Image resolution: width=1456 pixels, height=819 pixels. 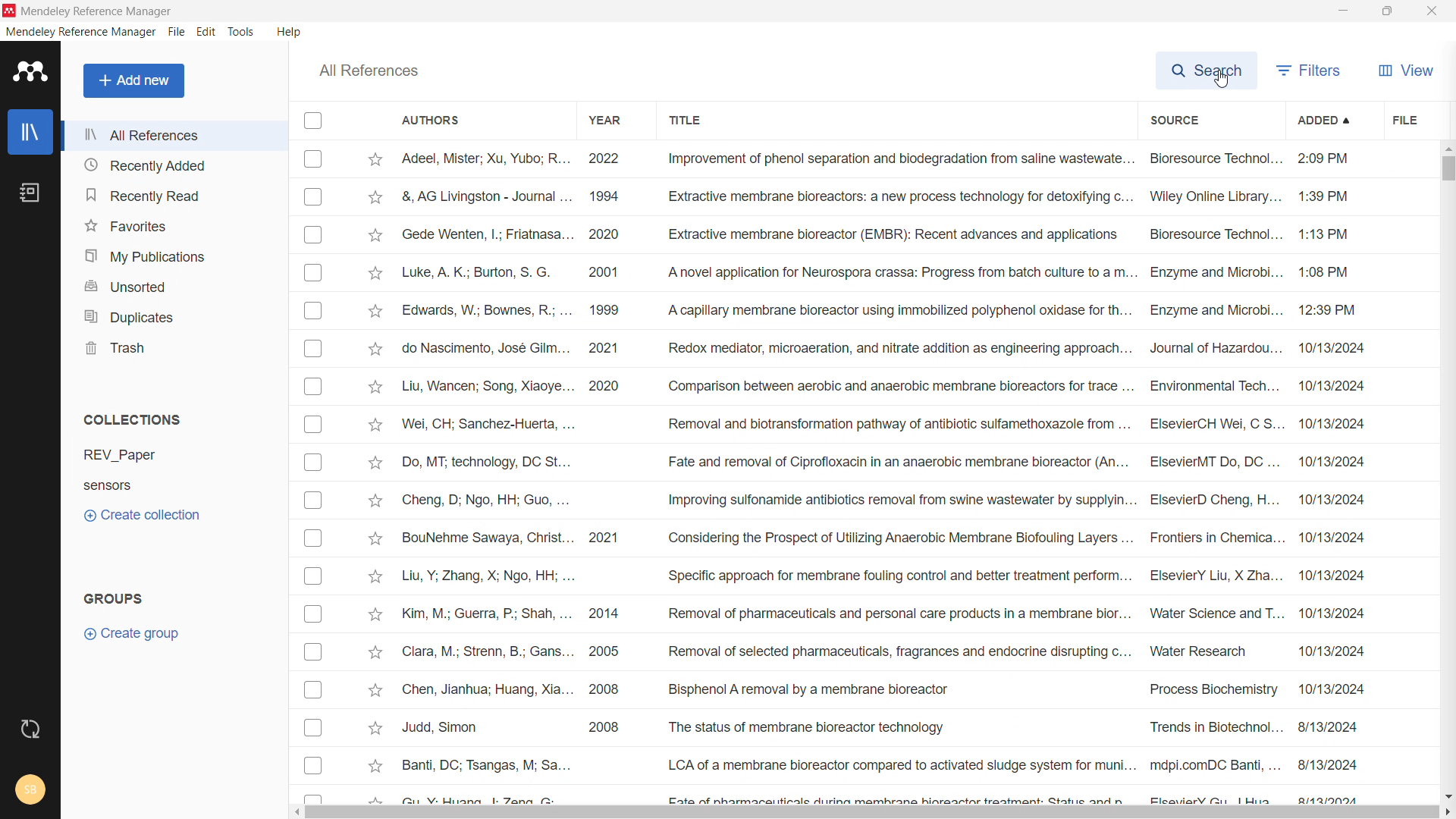 What do you see at coordinates (314, 235) in the screenshot?
I see `Checkbox` at bounding box center [314, 235].